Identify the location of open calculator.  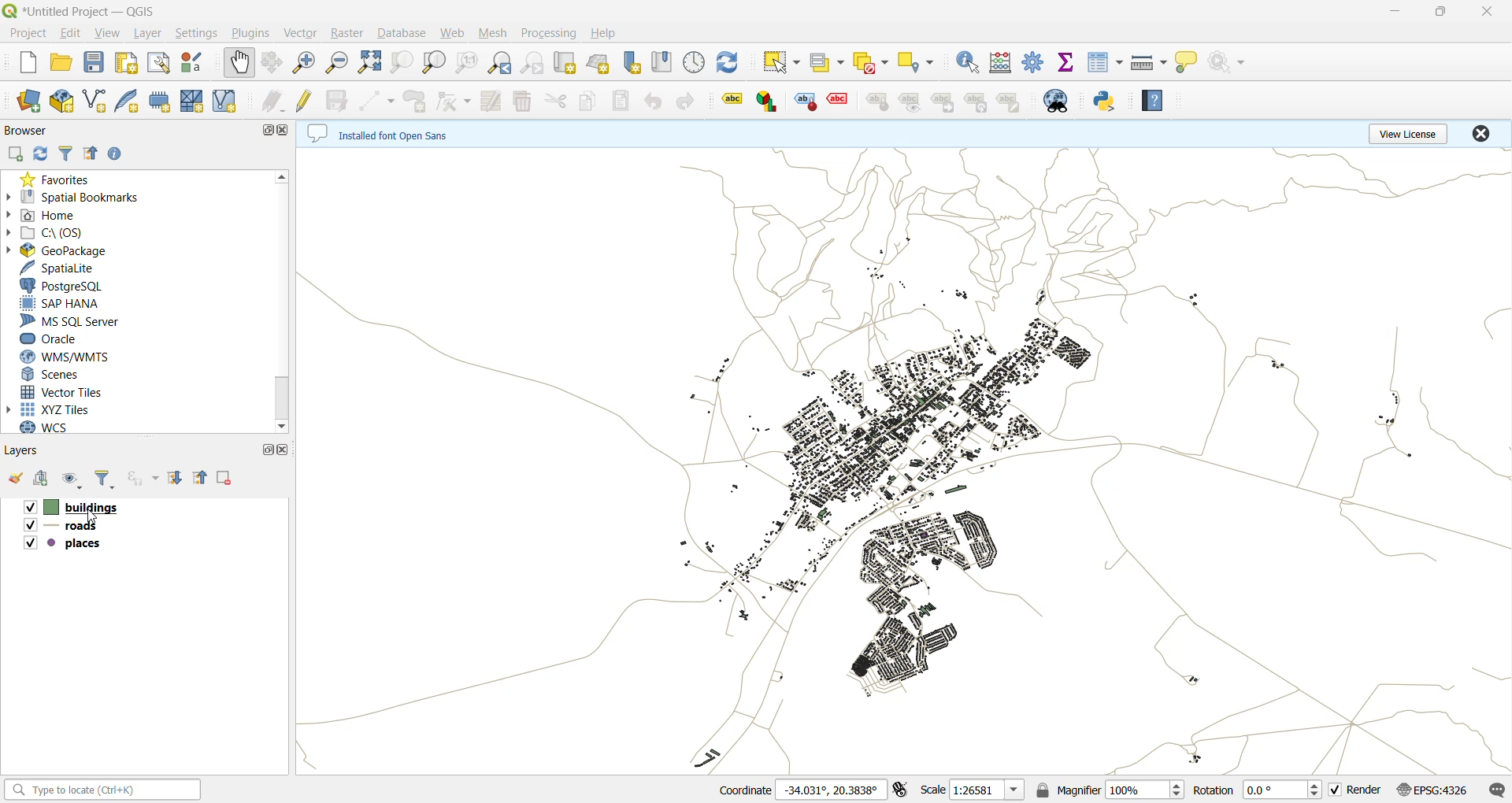
(1001, 62).